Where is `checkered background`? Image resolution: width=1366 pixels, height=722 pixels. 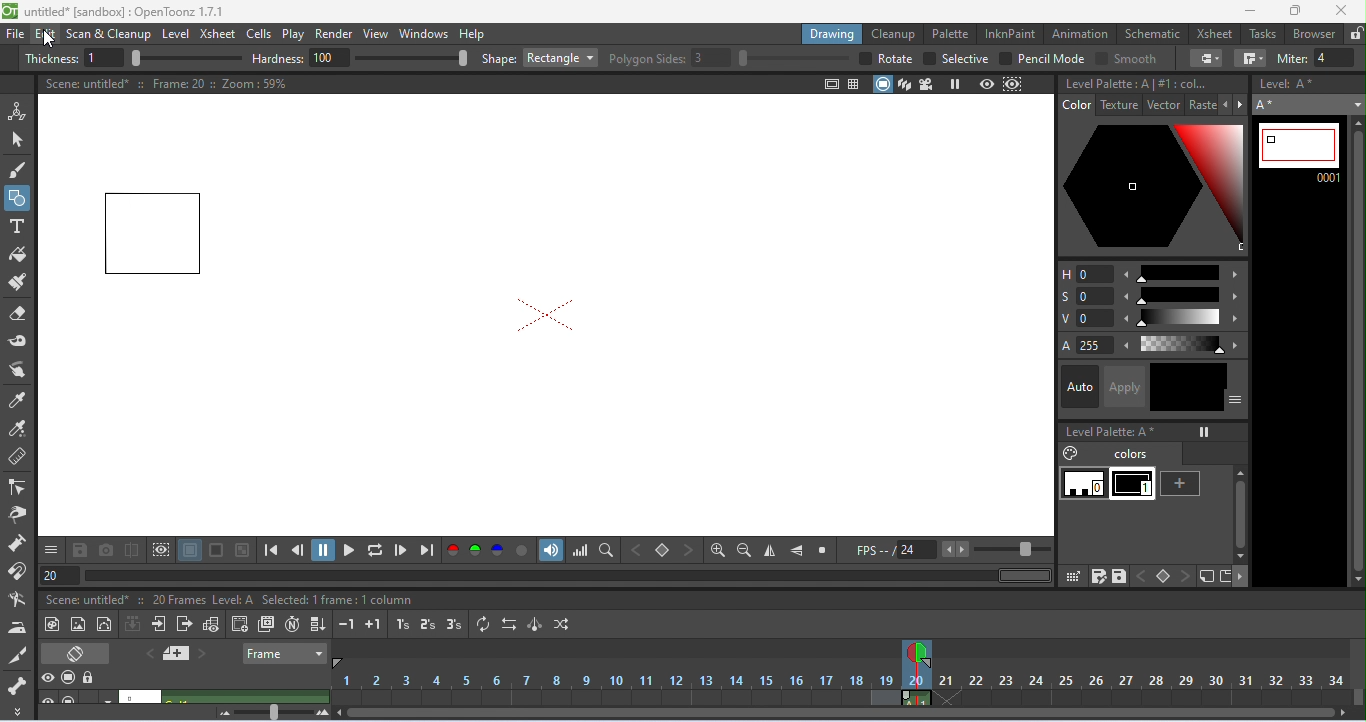
checkered background is located at coordinates (241, 550).